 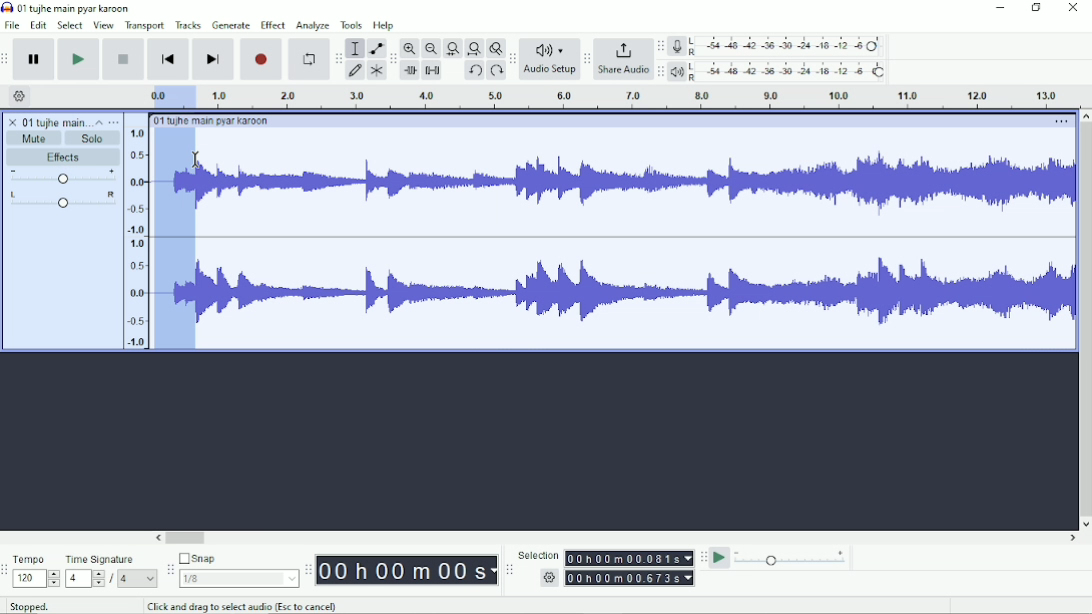 What do you see at coordinates (411, 48) in the screenshot?
I see `Zoom In` at bounding box center [411, 48].